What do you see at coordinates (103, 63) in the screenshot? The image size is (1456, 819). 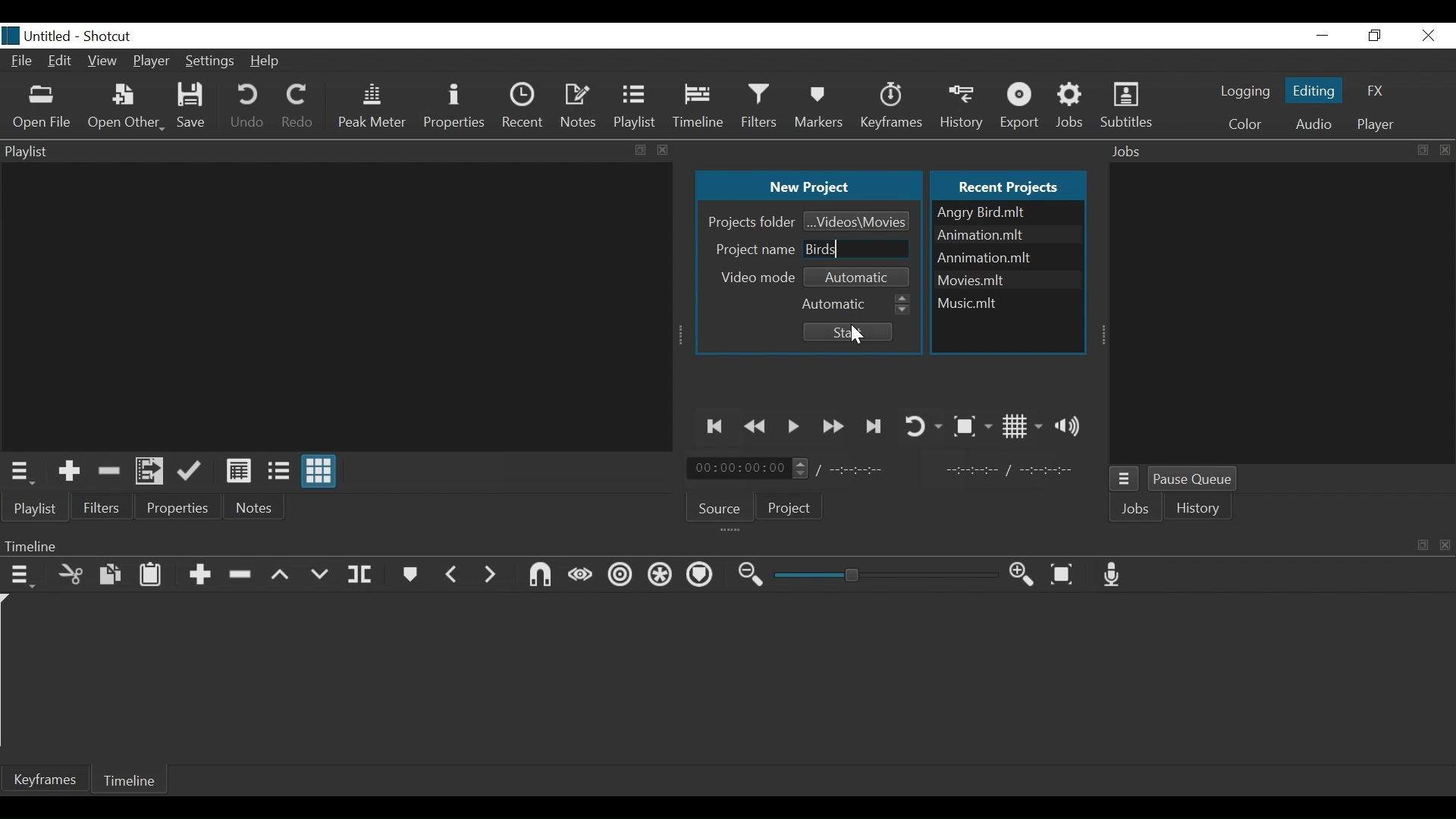 I see `View` at bounding box center [103, 63].